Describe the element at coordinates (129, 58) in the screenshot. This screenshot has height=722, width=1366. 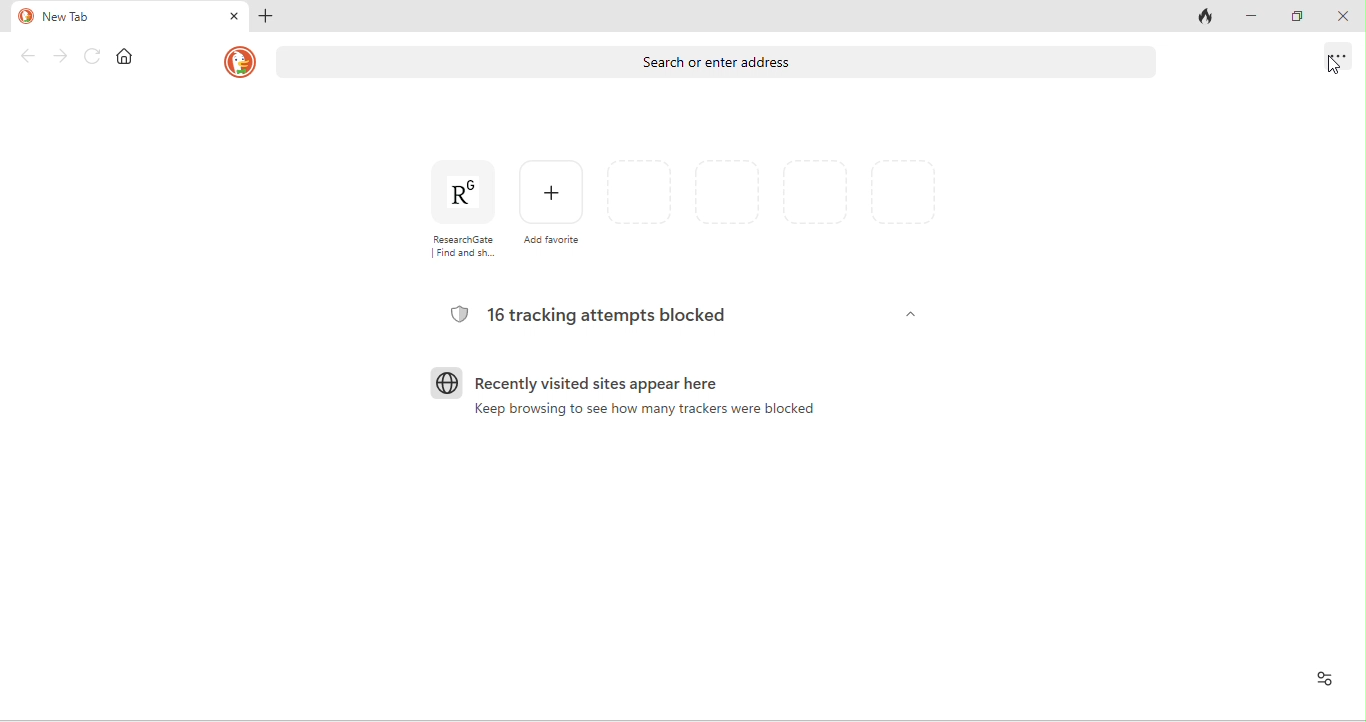
I see `home` at that location.